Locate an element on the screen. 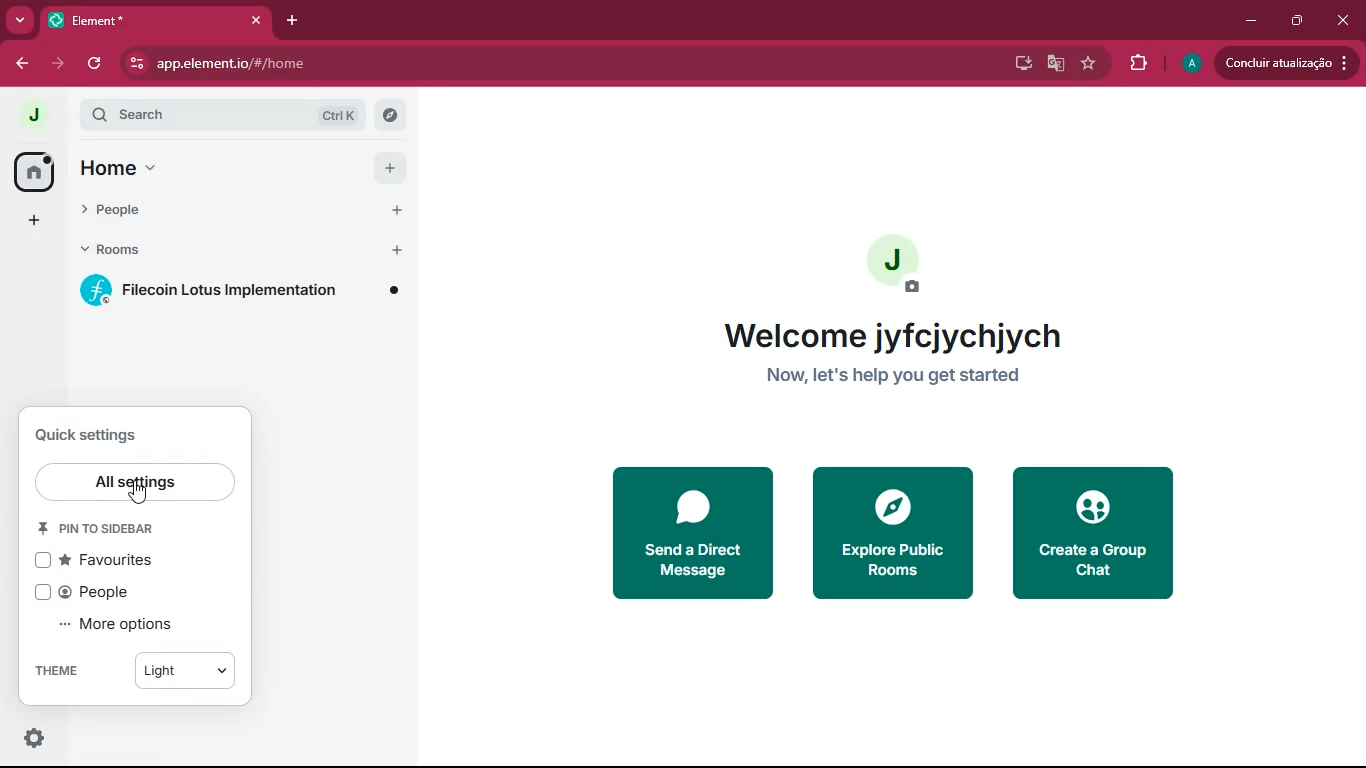 This screenshot has width=1366, height=768. cursor is located at coordinates (138, 493).